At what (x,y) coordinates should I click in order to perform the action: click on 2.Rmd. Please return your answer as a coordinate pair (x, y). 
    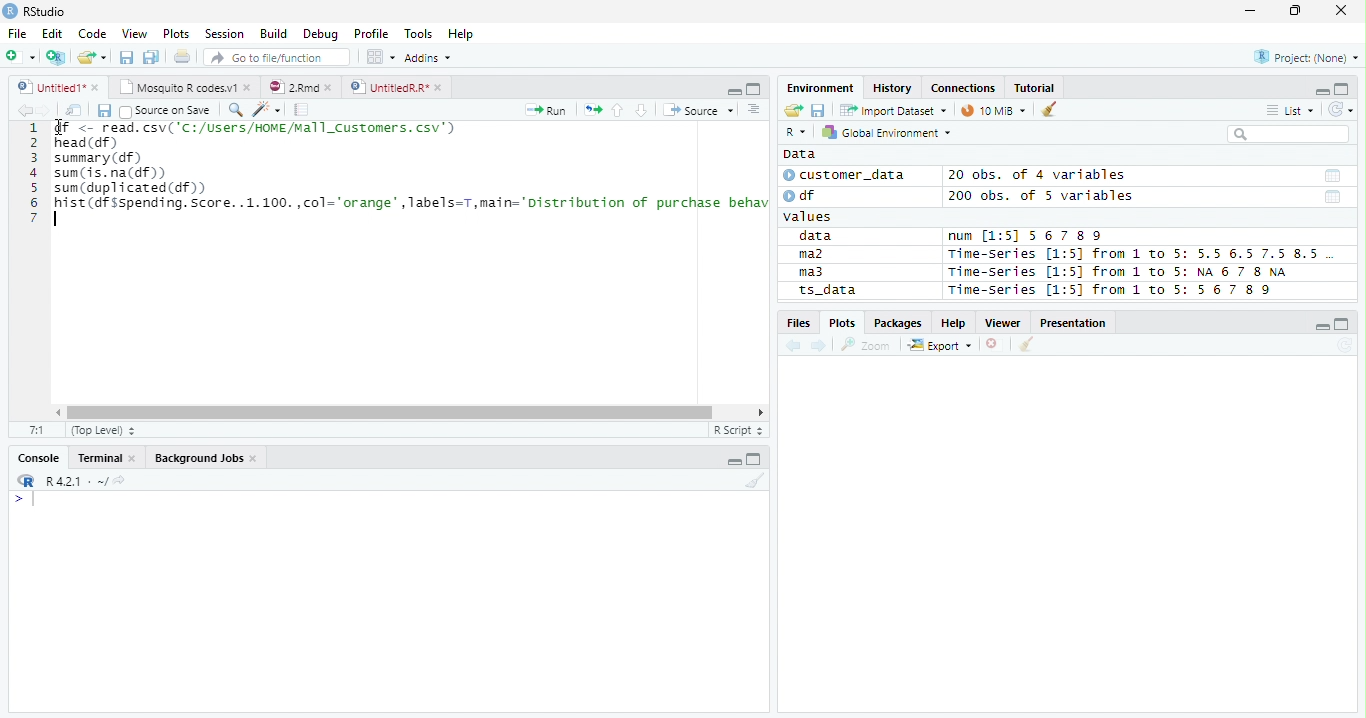
    Looking at the image, I should click on (302, 88).